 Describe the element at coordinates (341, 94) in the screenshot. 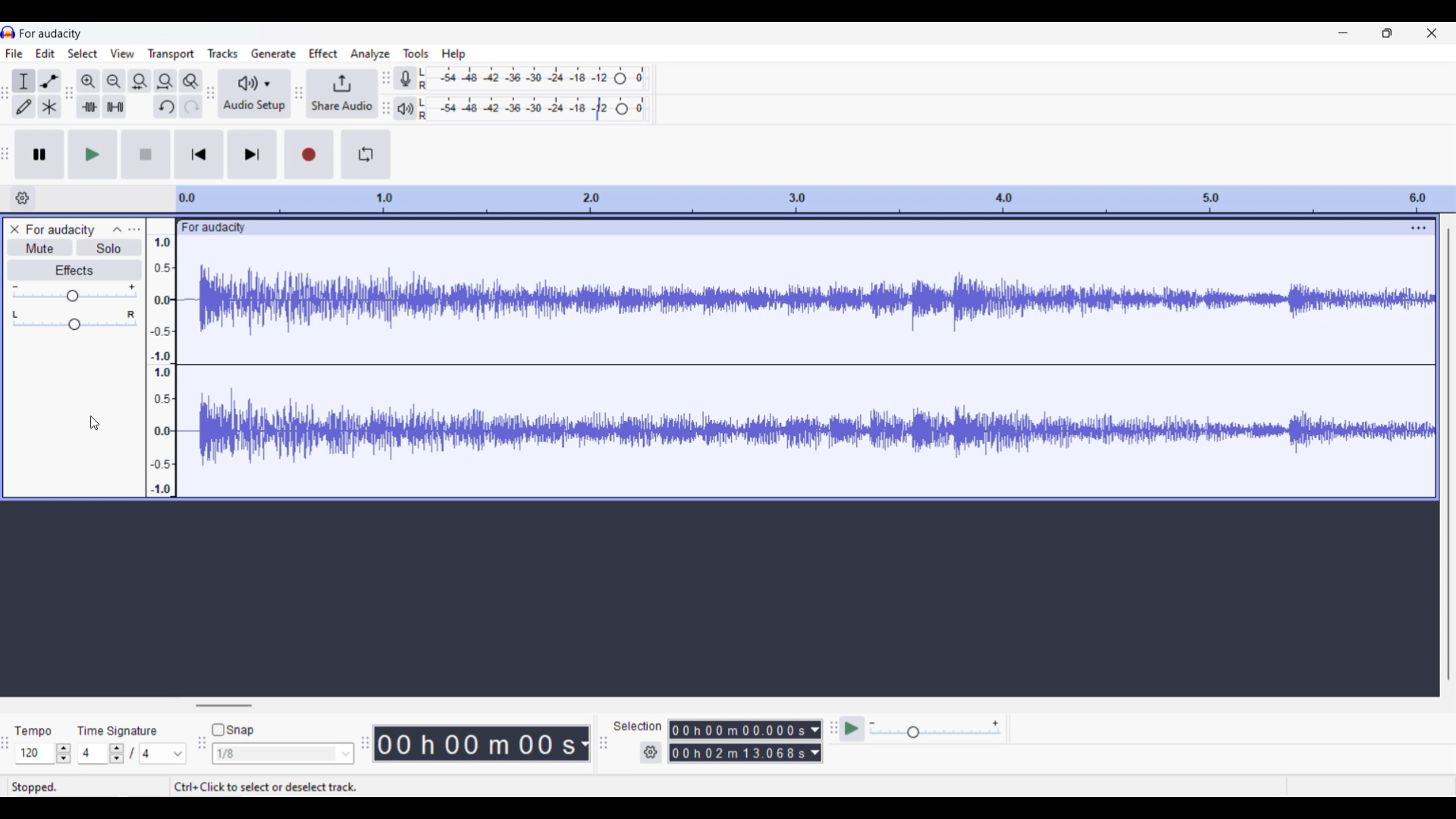

I see `Share audio` at that location.